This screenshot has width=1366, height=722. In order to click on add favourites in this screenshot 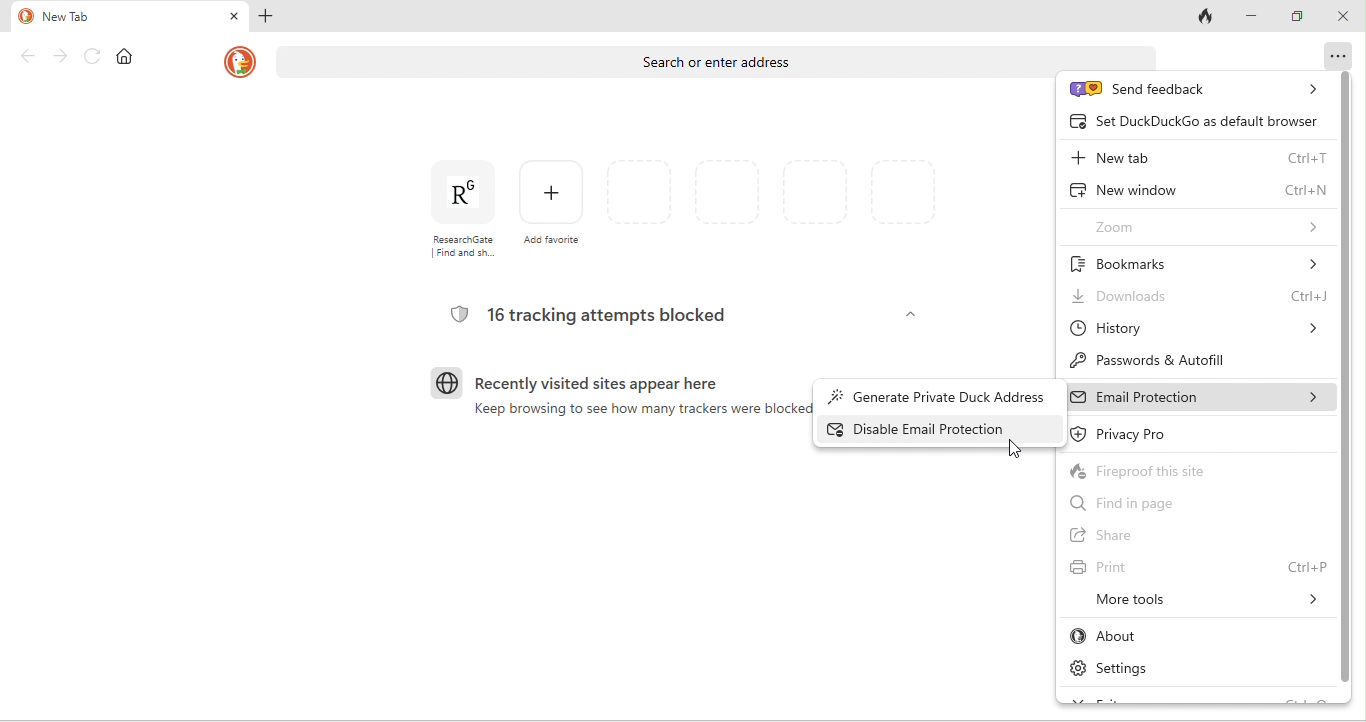, I will do `click(553, 204)`.